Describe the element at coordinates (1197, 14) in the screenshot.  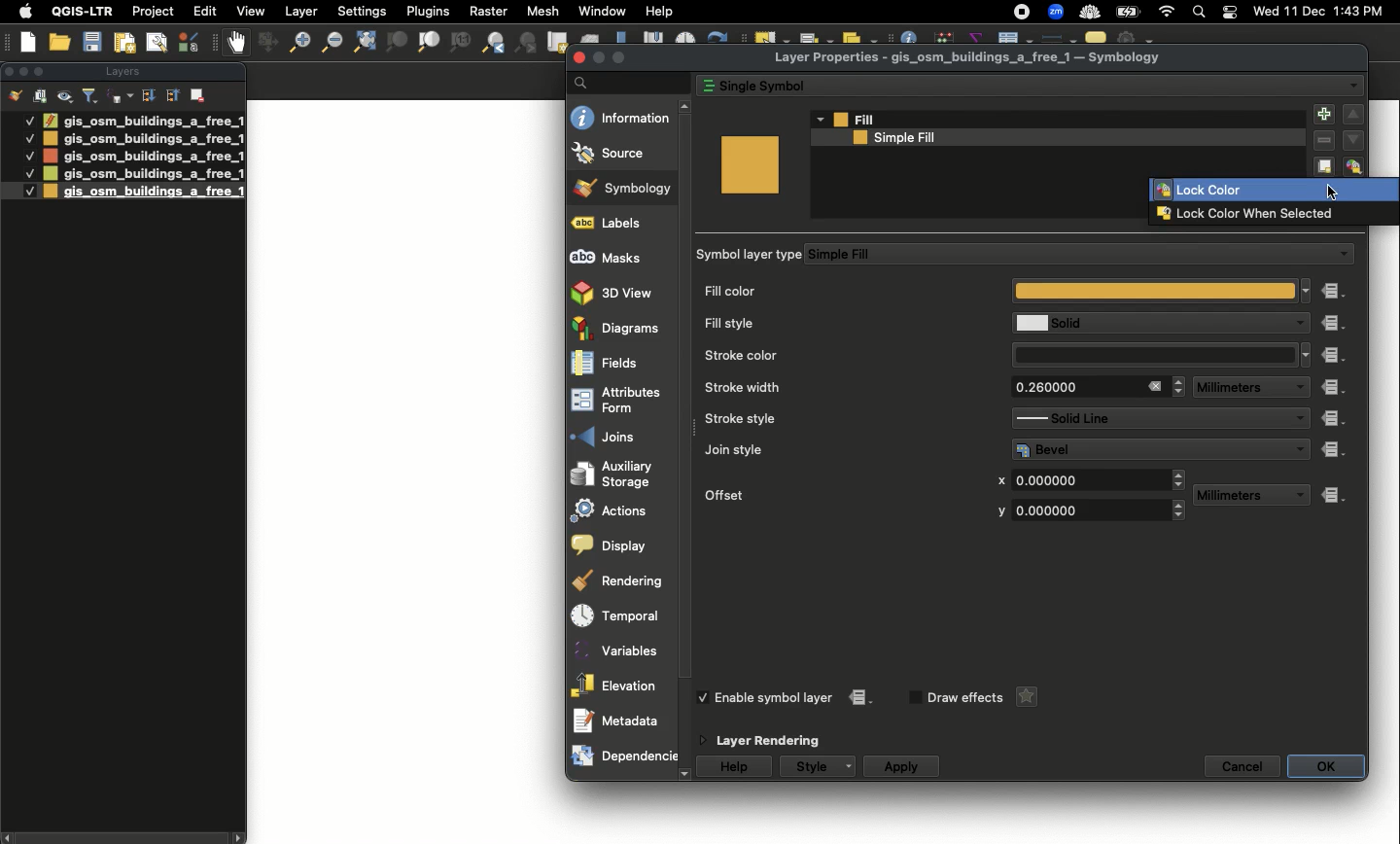
I see `Search` at that location.